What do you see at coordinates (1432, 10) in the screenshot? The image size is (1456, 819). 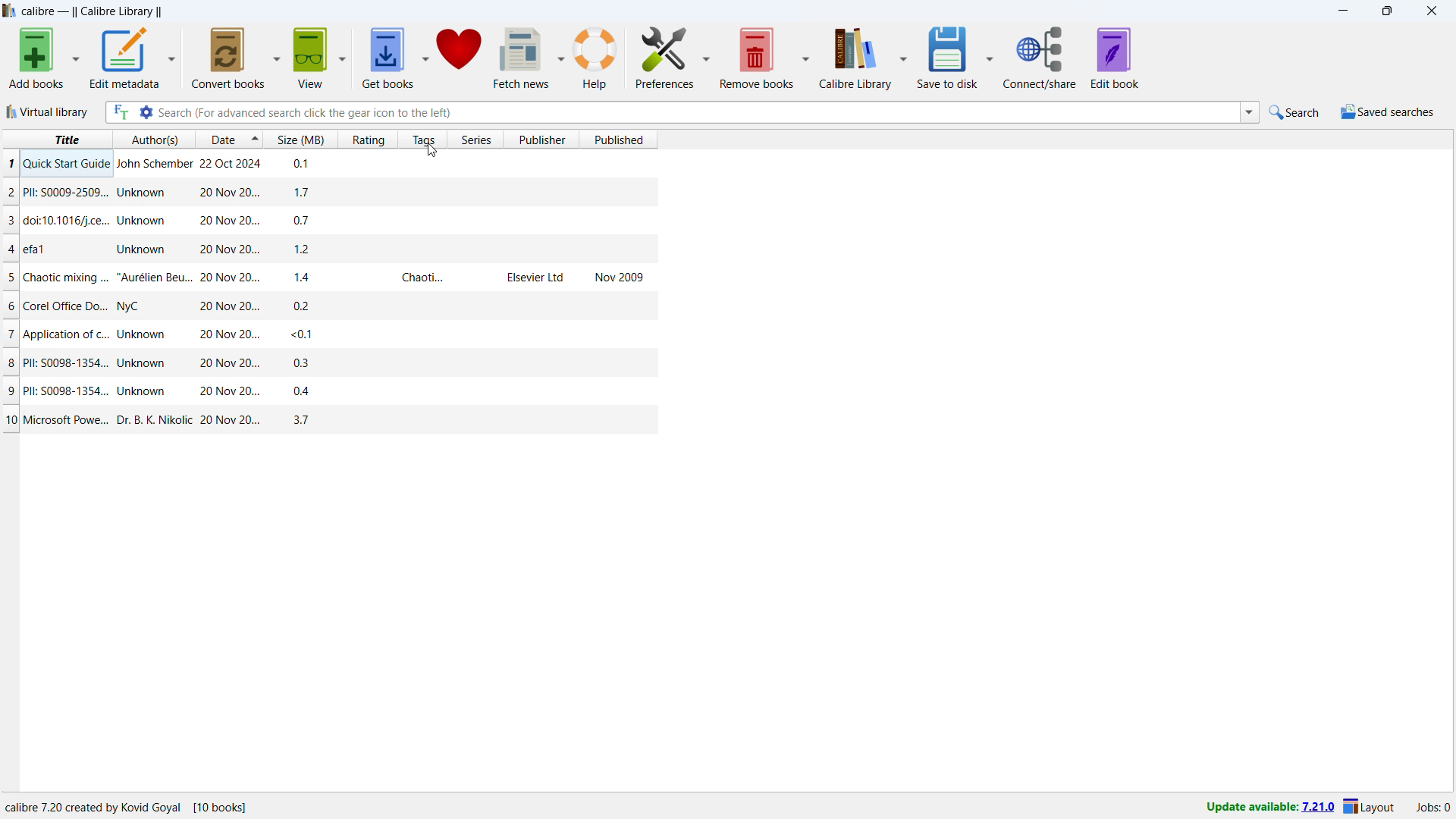 I see `close` at bounding box center [1432, 10].